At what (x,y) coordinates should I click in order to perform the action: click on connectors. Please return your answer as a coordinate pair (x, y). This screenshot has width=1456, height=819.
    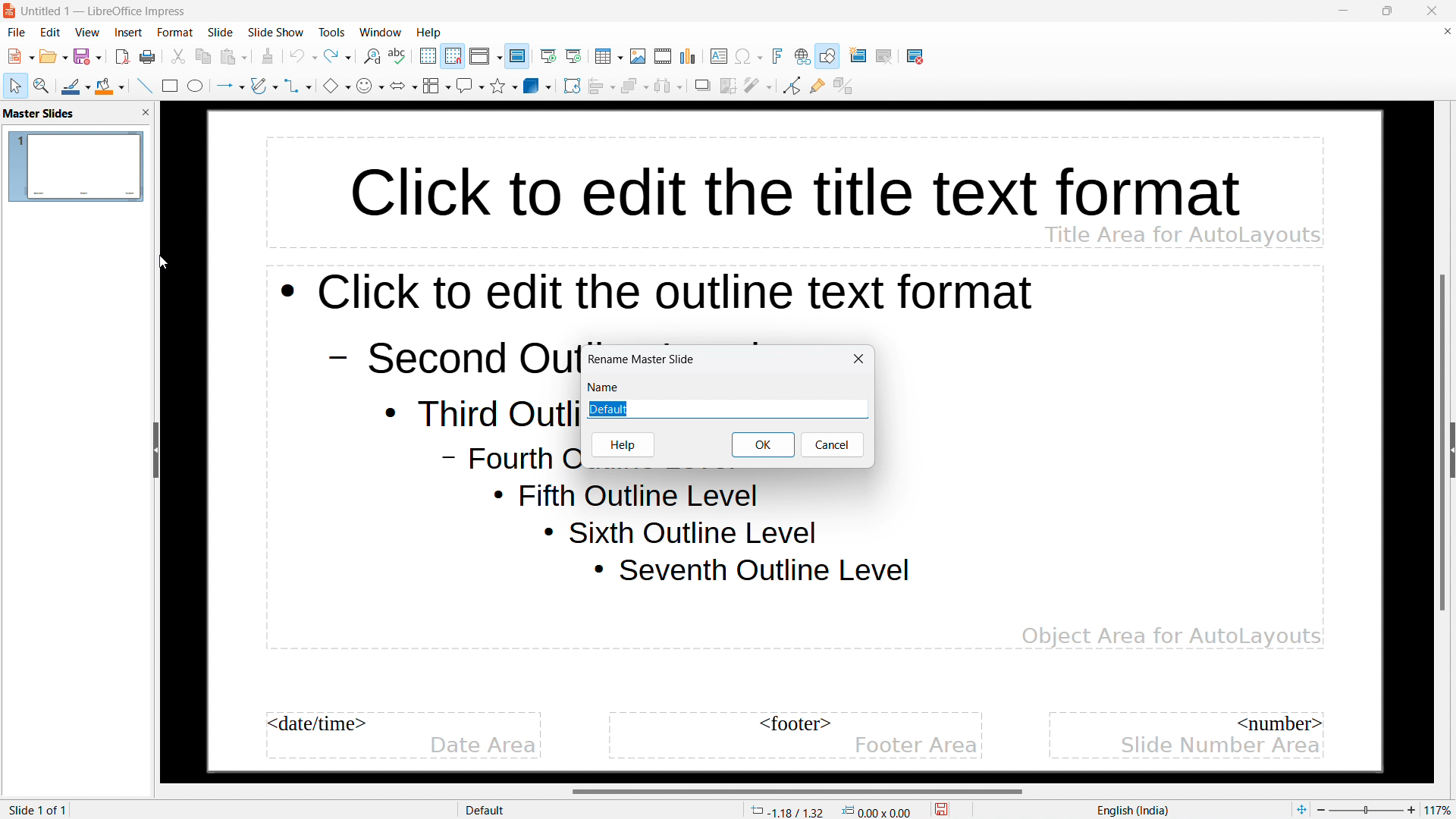
    Looking at the image, I should click on (300, 85).